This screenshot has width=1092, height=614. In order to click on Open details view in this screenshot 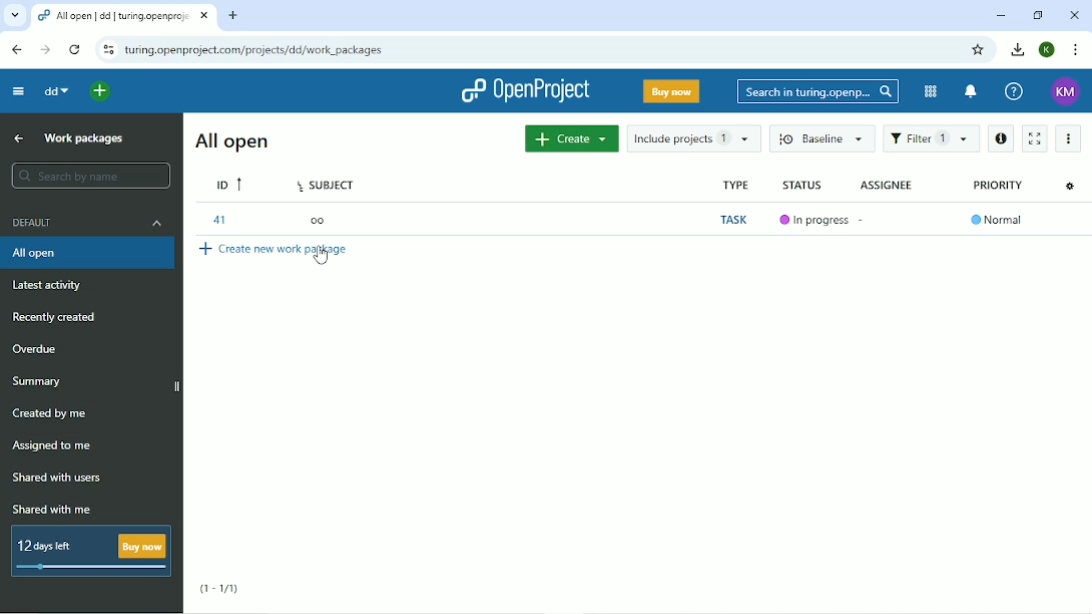, I will do `click(1001, 138)`.